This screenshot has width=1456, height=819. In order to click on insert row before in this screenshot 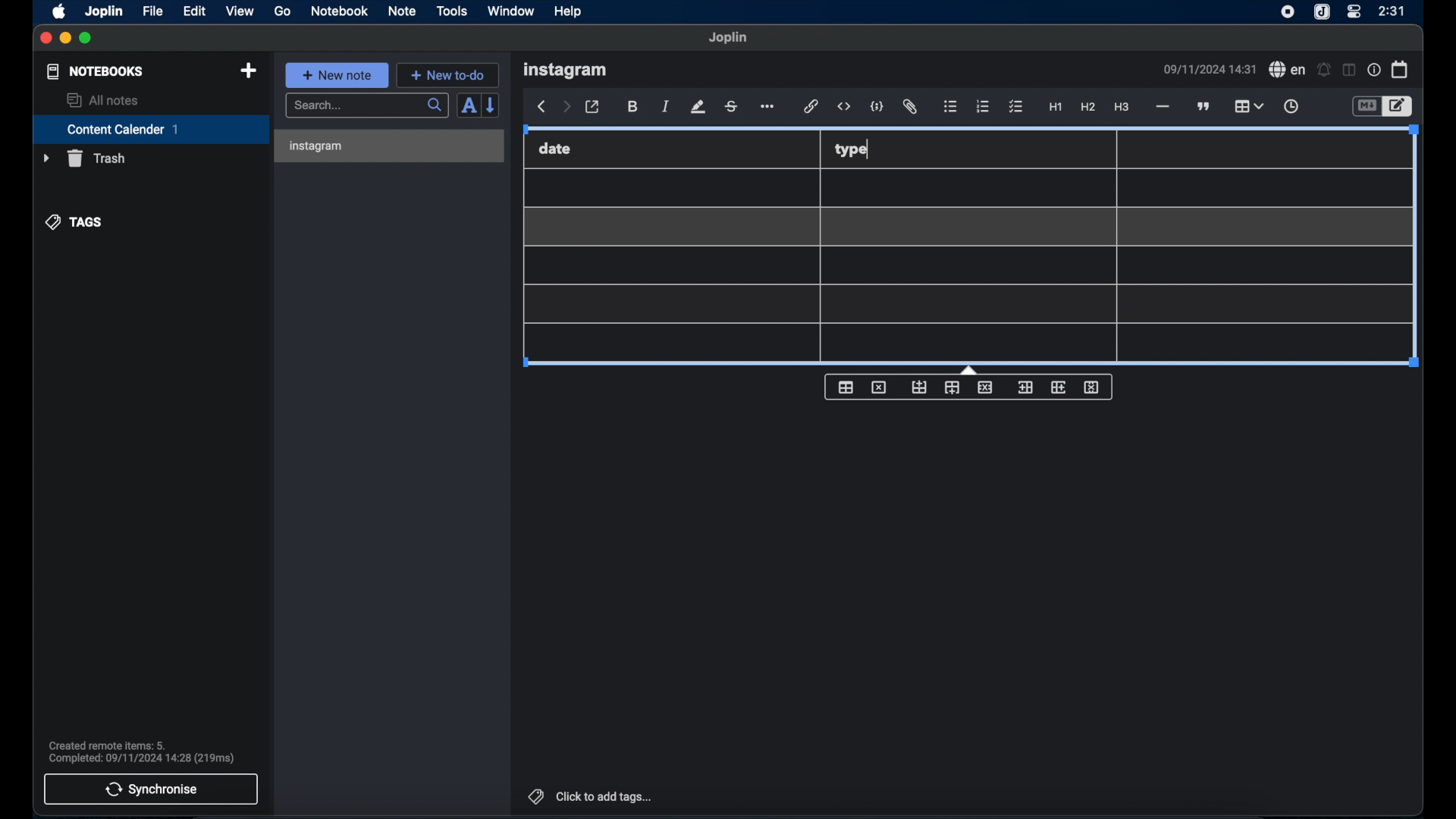, I will do `click(919, 386)`.